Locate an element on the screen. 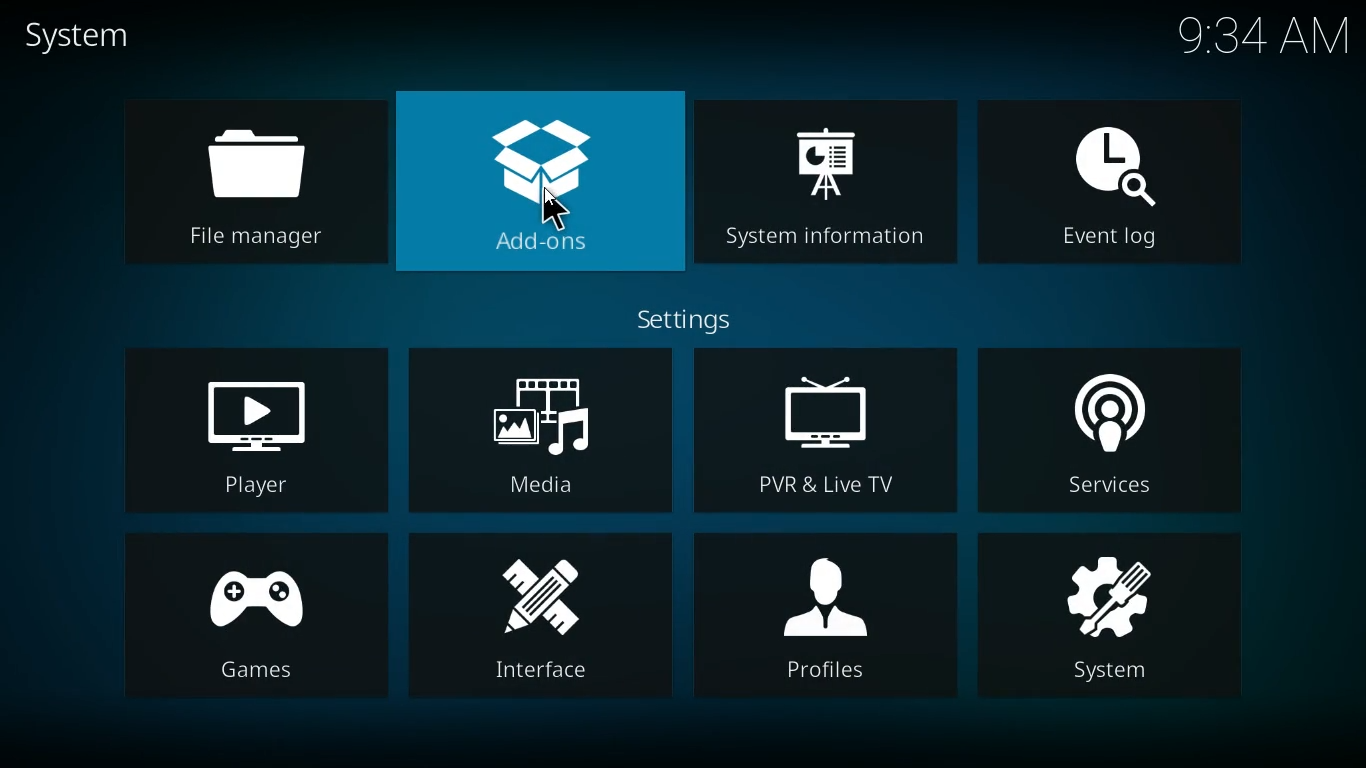 The image size is (1366, 768). player is located at coordinates (247, 427).